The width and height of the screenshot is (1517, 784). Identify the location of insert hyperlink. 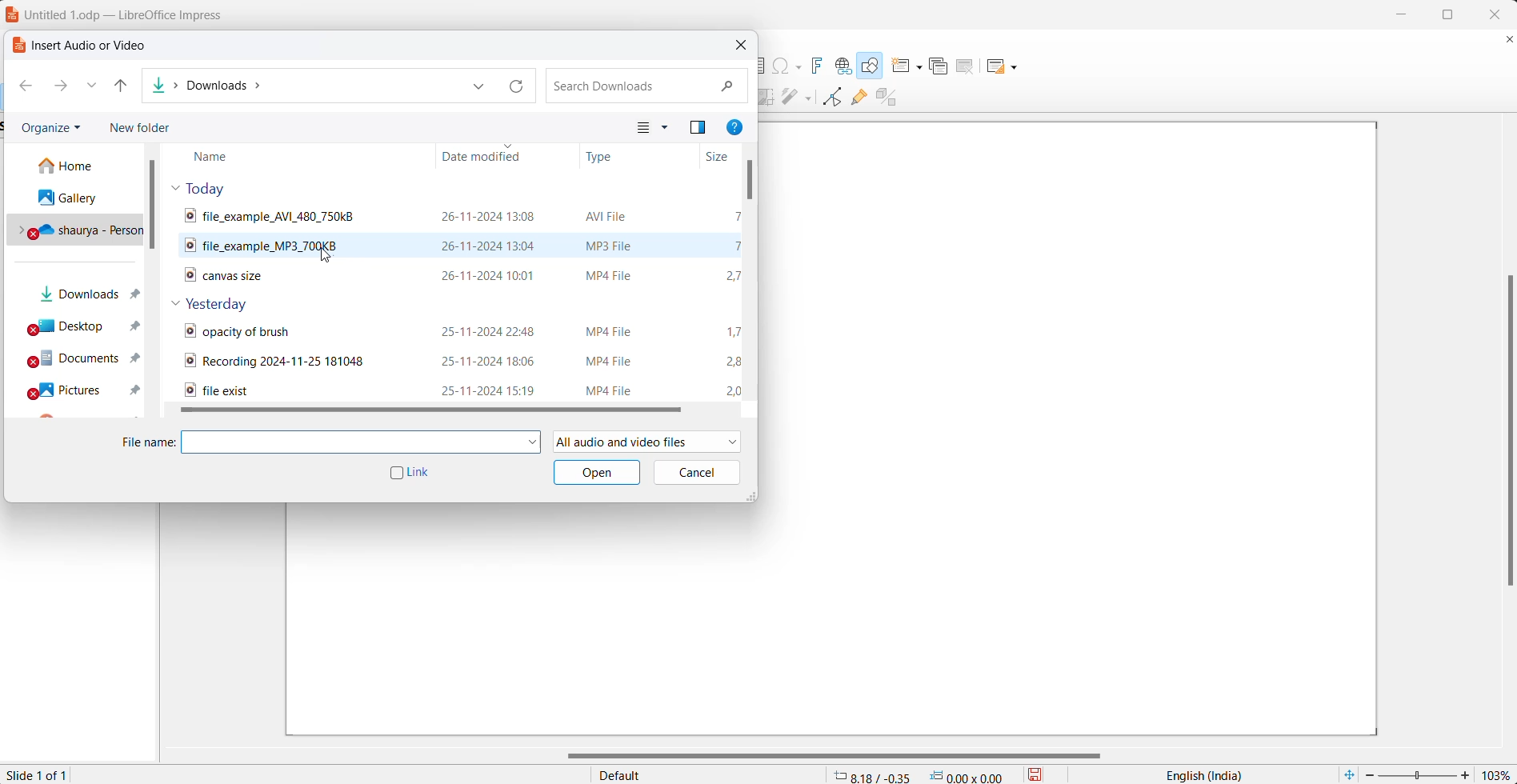
(844, 65).